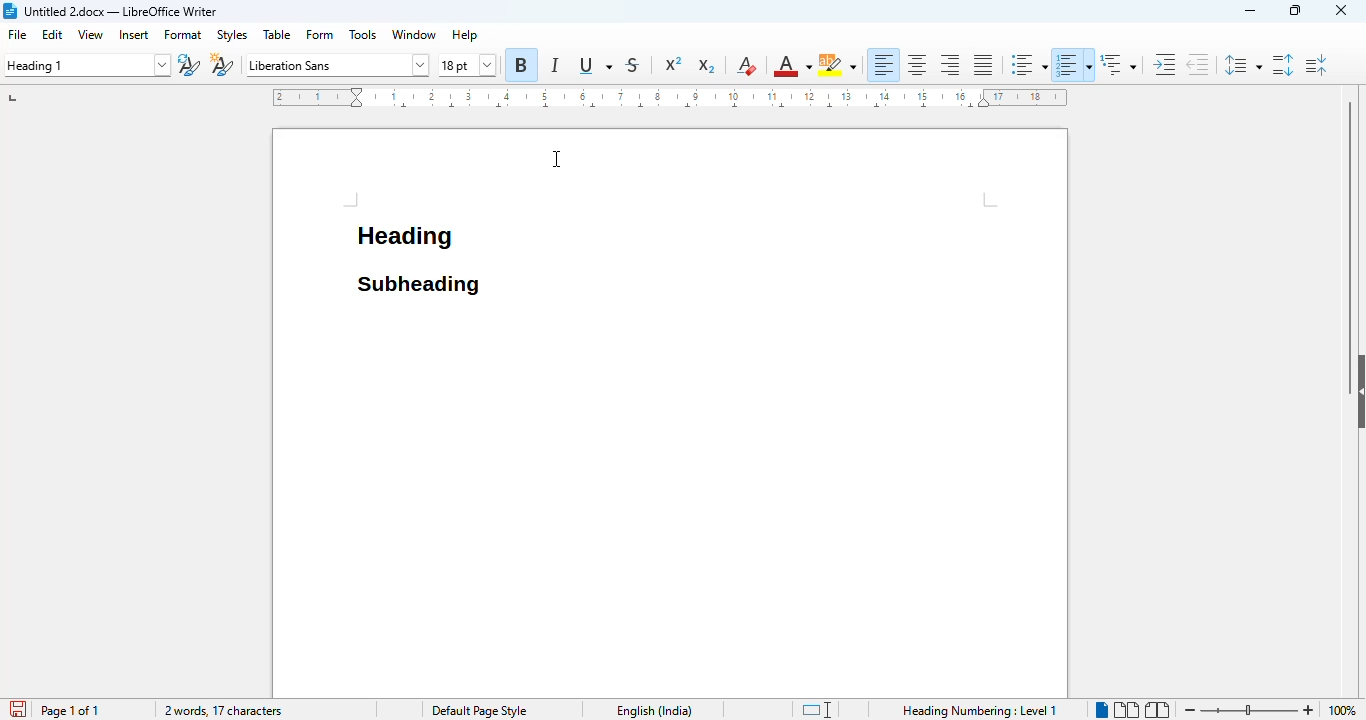  Describe the element at coordinates (336, 65) in the screenshot. I see `font name` at that location.